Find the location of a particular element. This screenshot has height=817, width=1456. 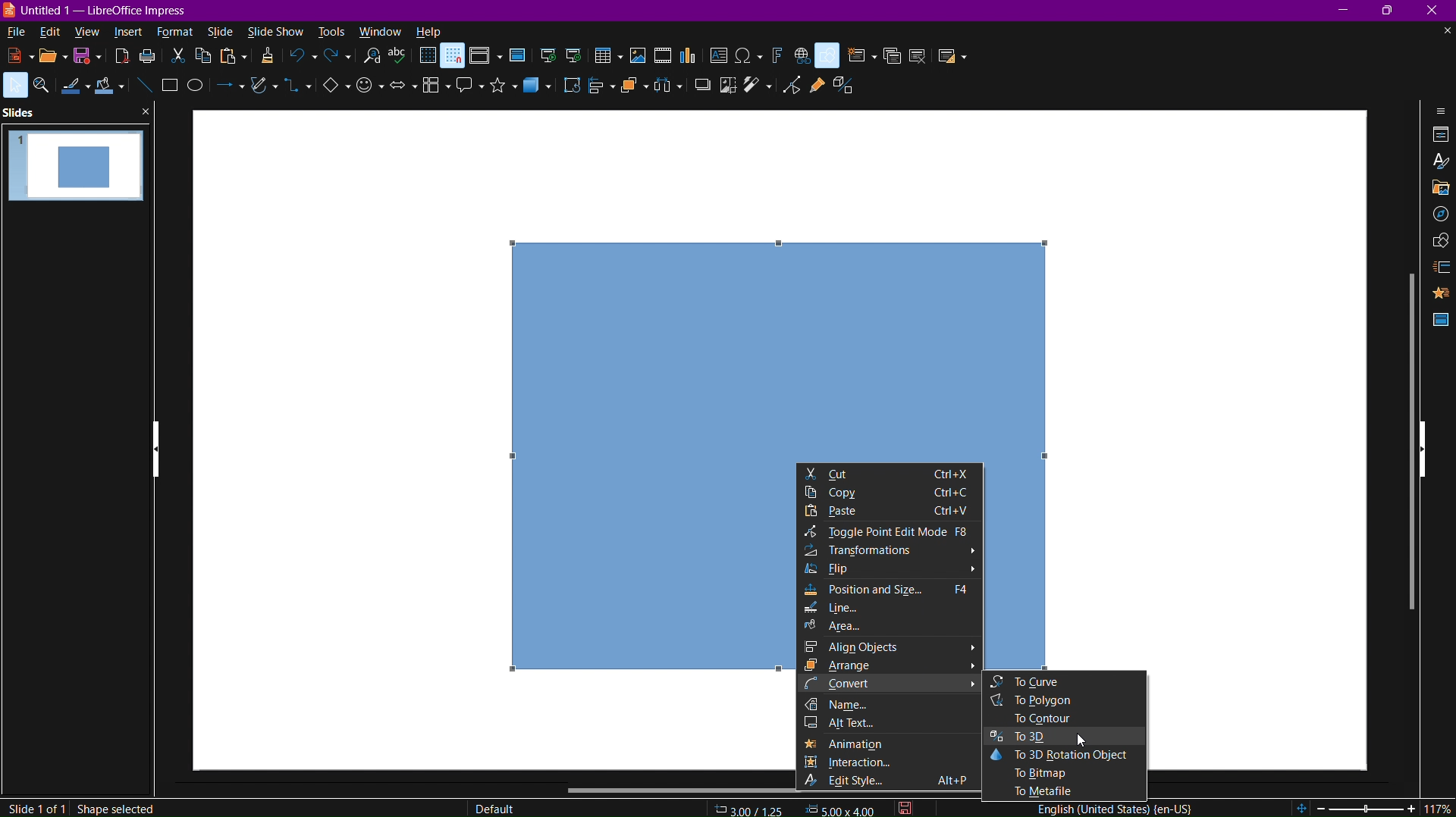

Paste is located at coordinates (890, 513).